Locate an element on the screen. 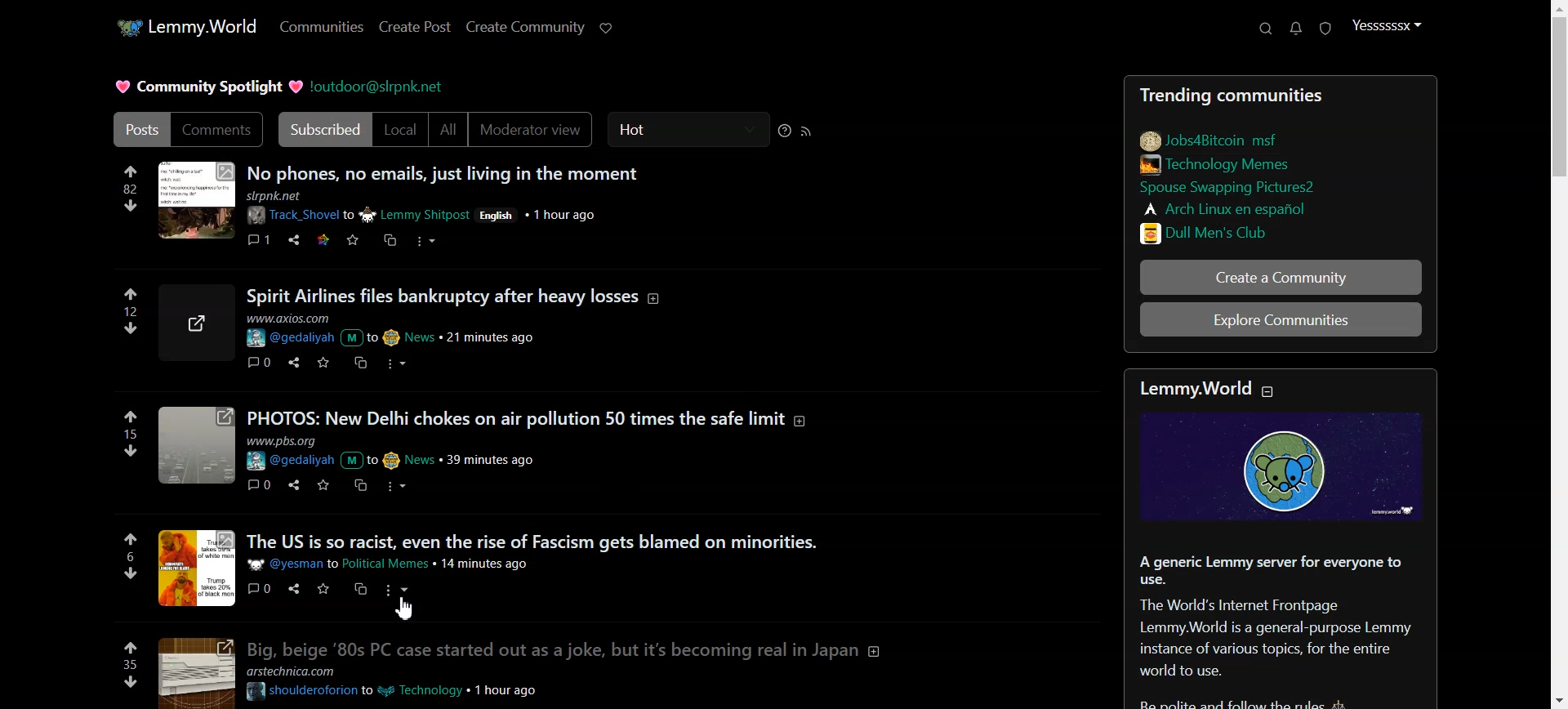 This screenshot has height=709, width=1568. image is located at coordinates (195, 202).